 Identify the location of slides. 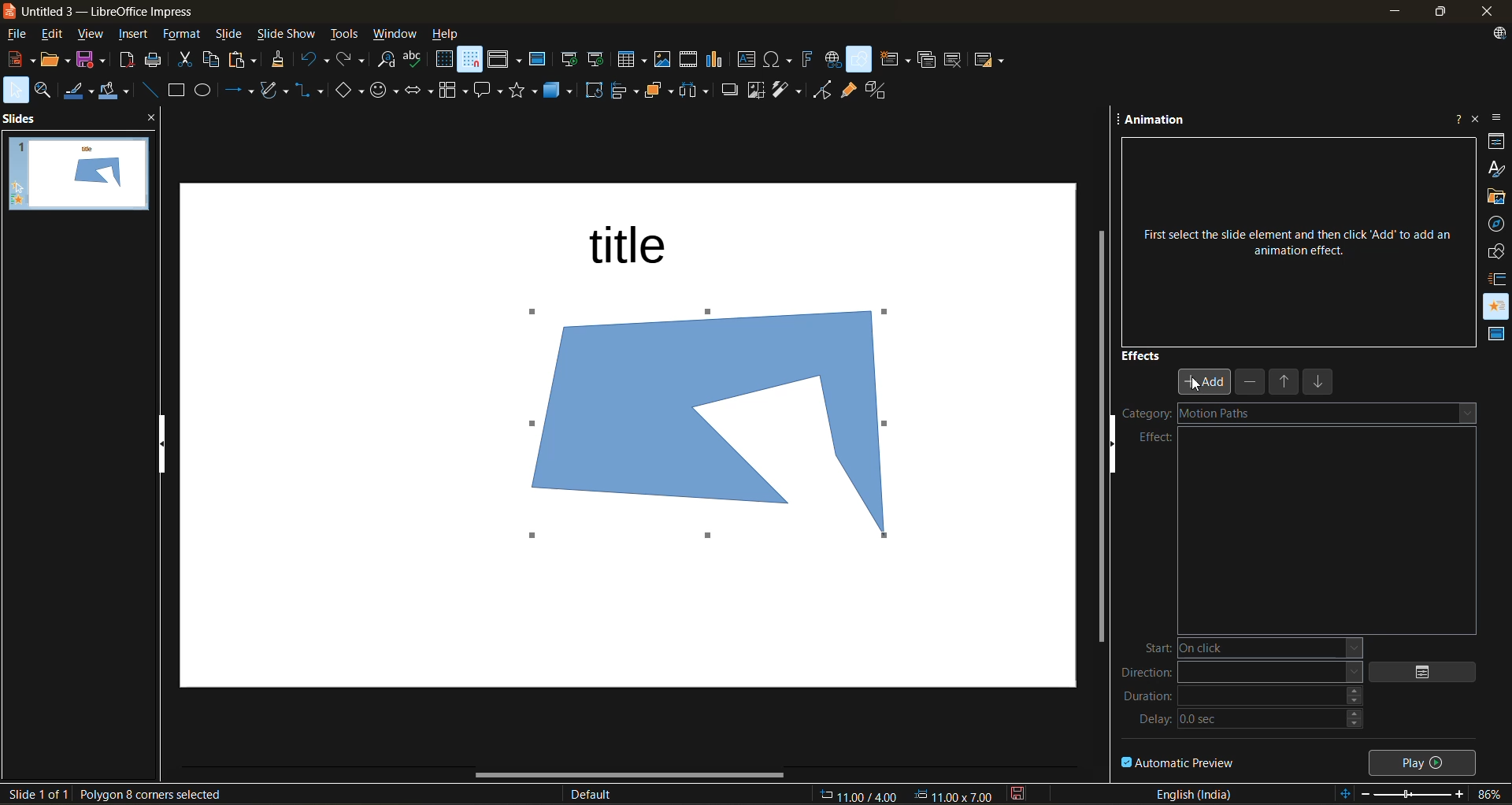
(24, 118).